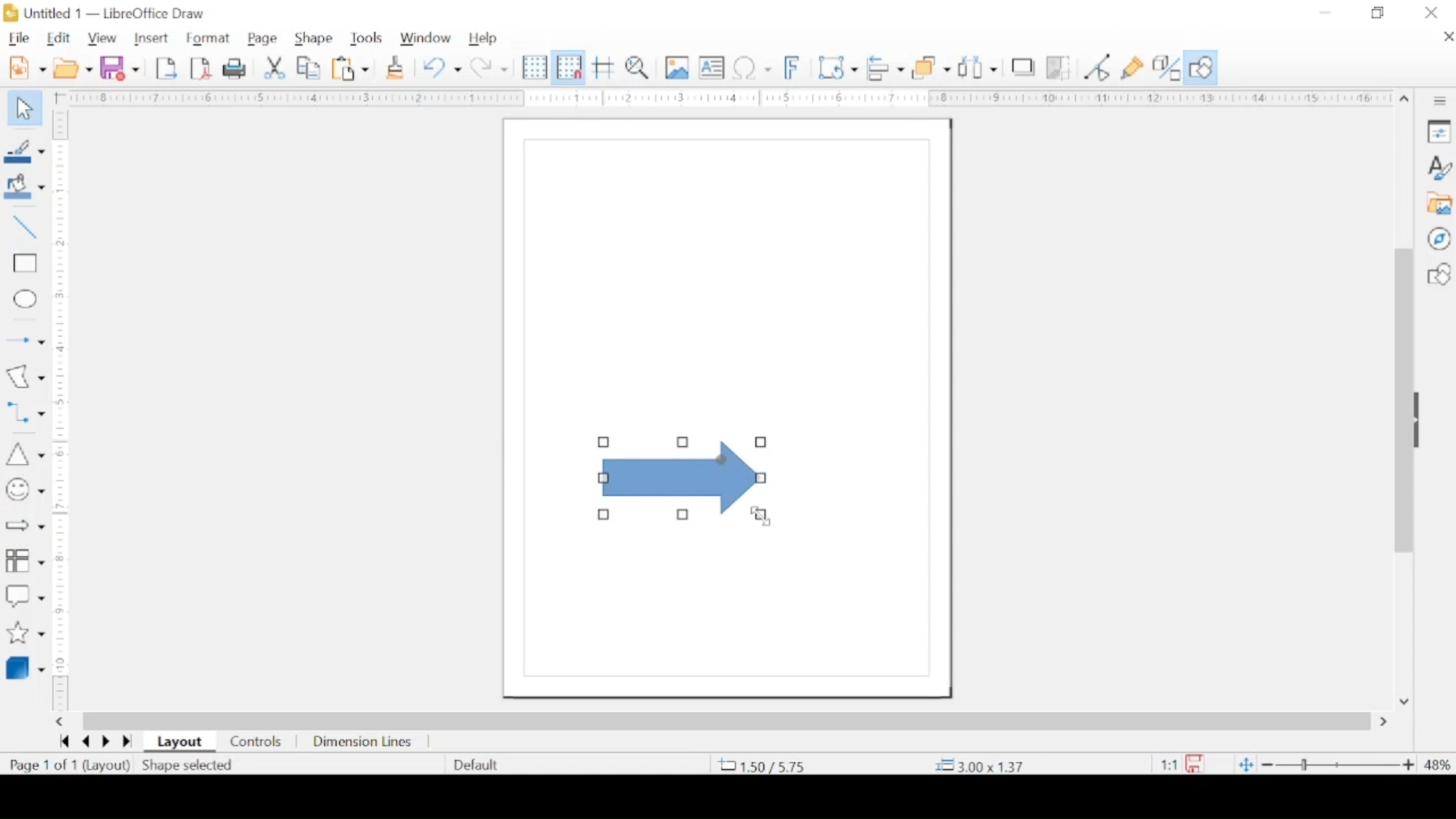  Describe the element at coordinates (180, 742) in the screenshot. I see `layout` at that location.